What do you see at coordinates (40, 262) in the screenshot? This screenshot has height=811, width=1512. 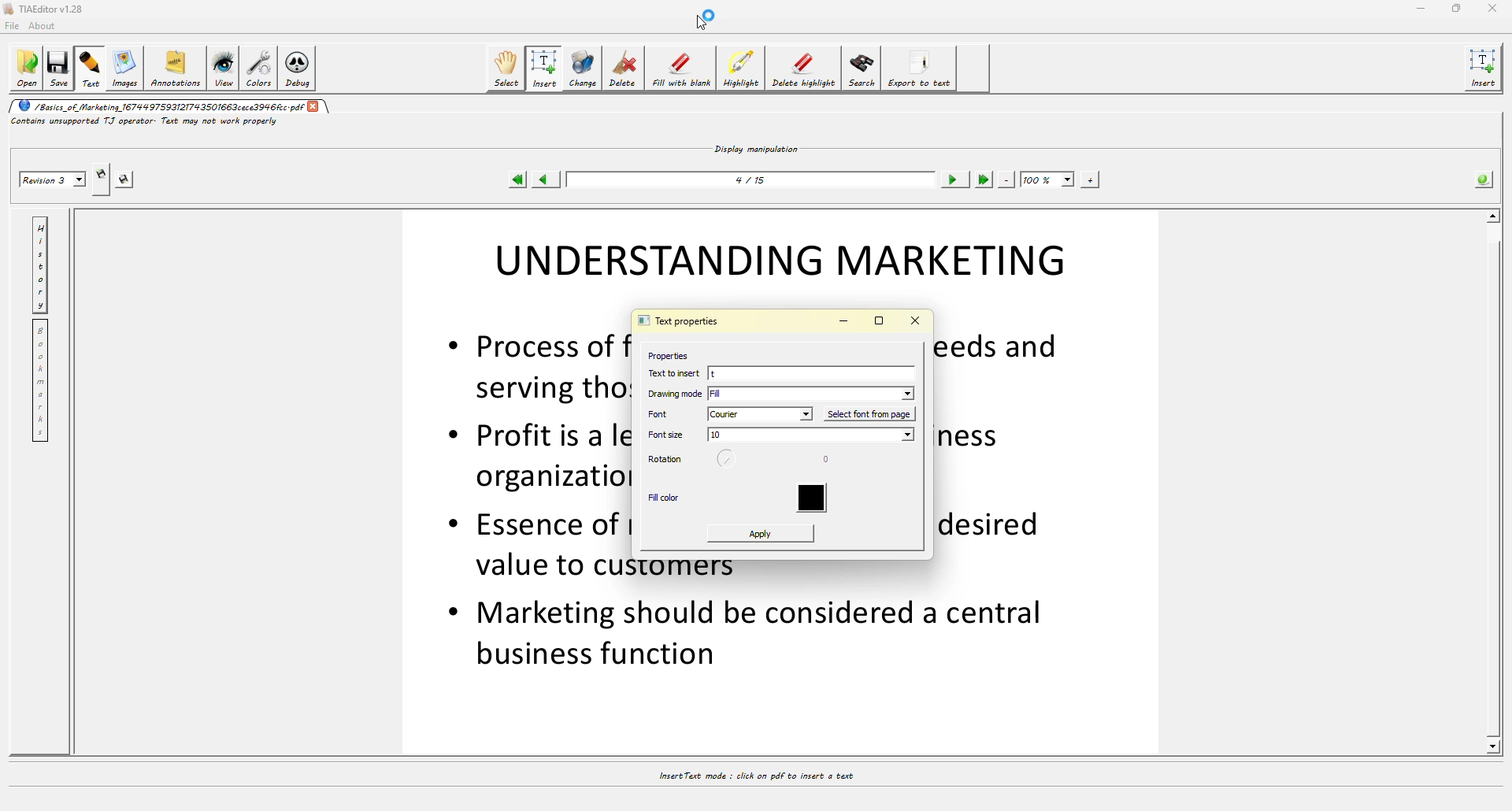 I see `history` at bounding box center [40, 262].